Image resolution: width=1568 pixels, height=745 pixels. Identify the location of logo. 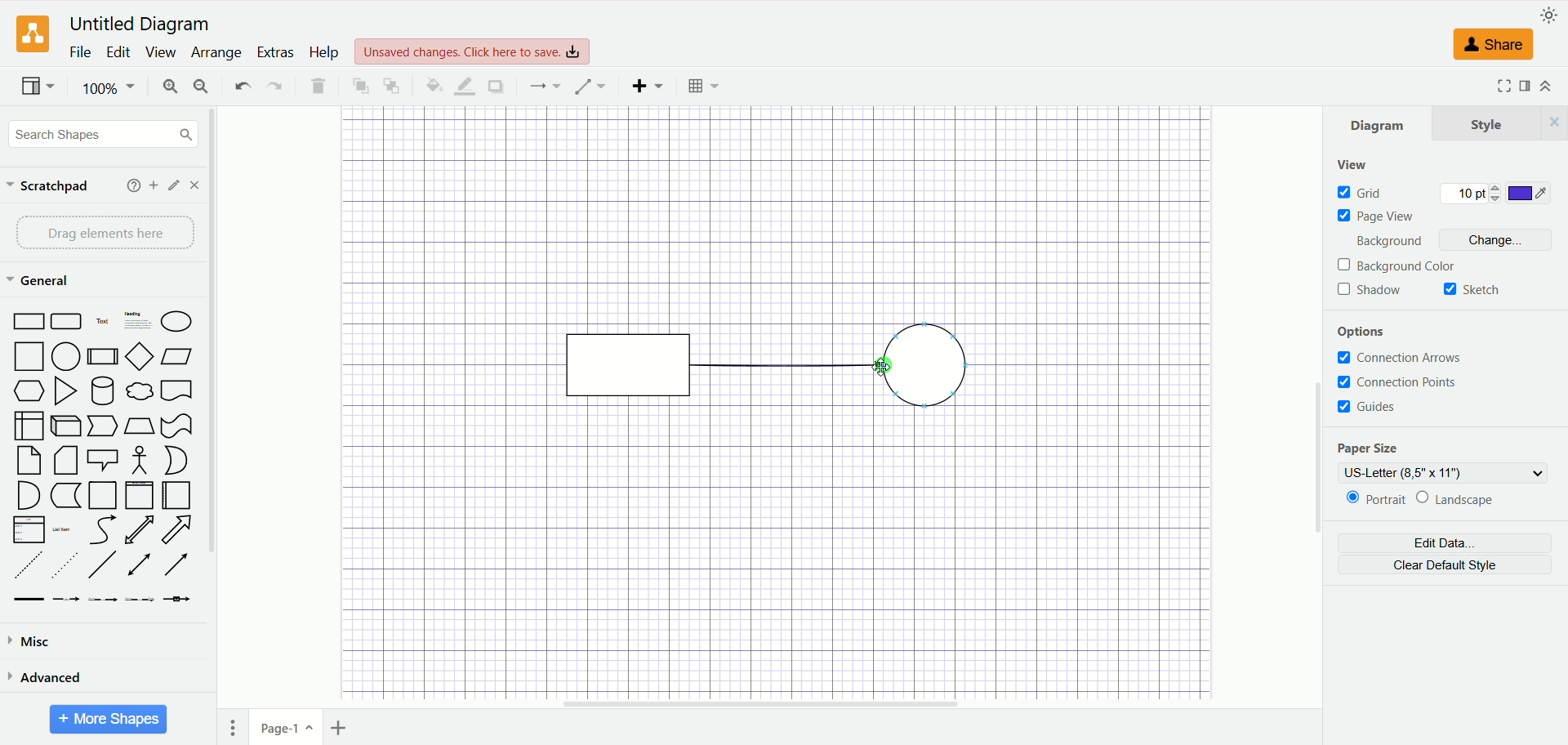
(31, 34).